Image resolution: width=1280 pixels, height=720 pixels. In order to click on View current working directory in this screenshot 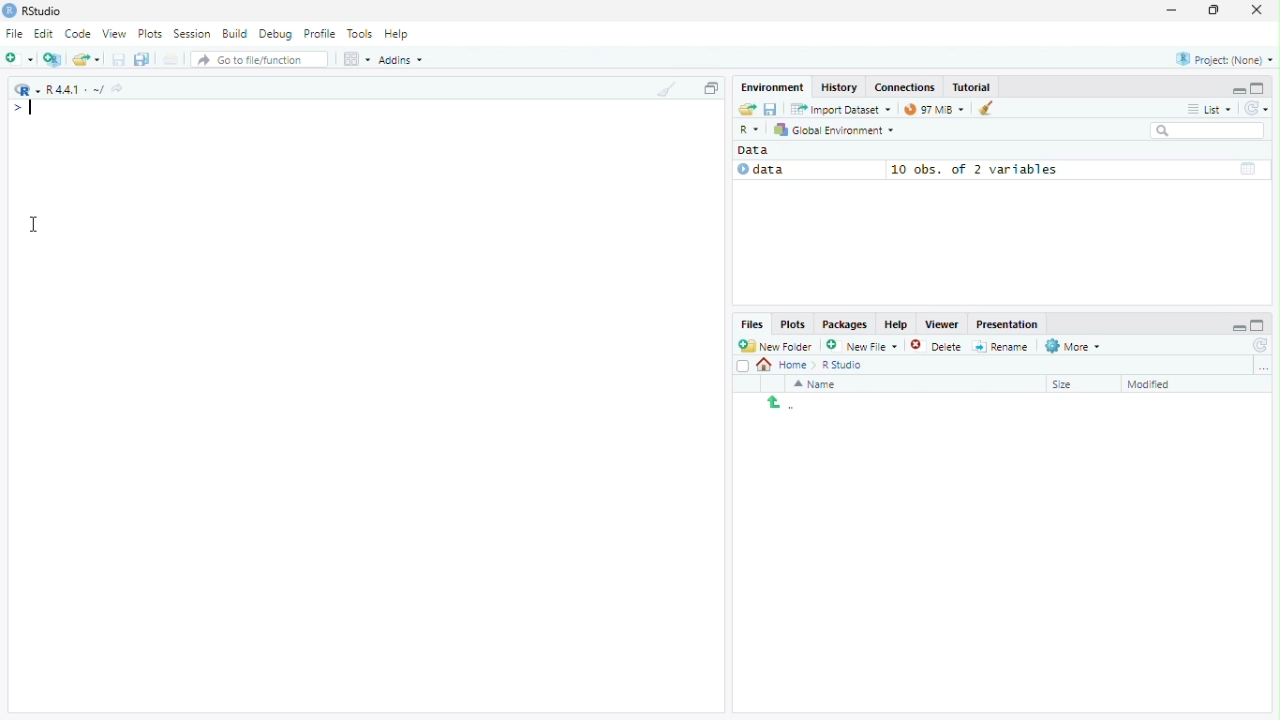, I will do `click(120, 88)`.